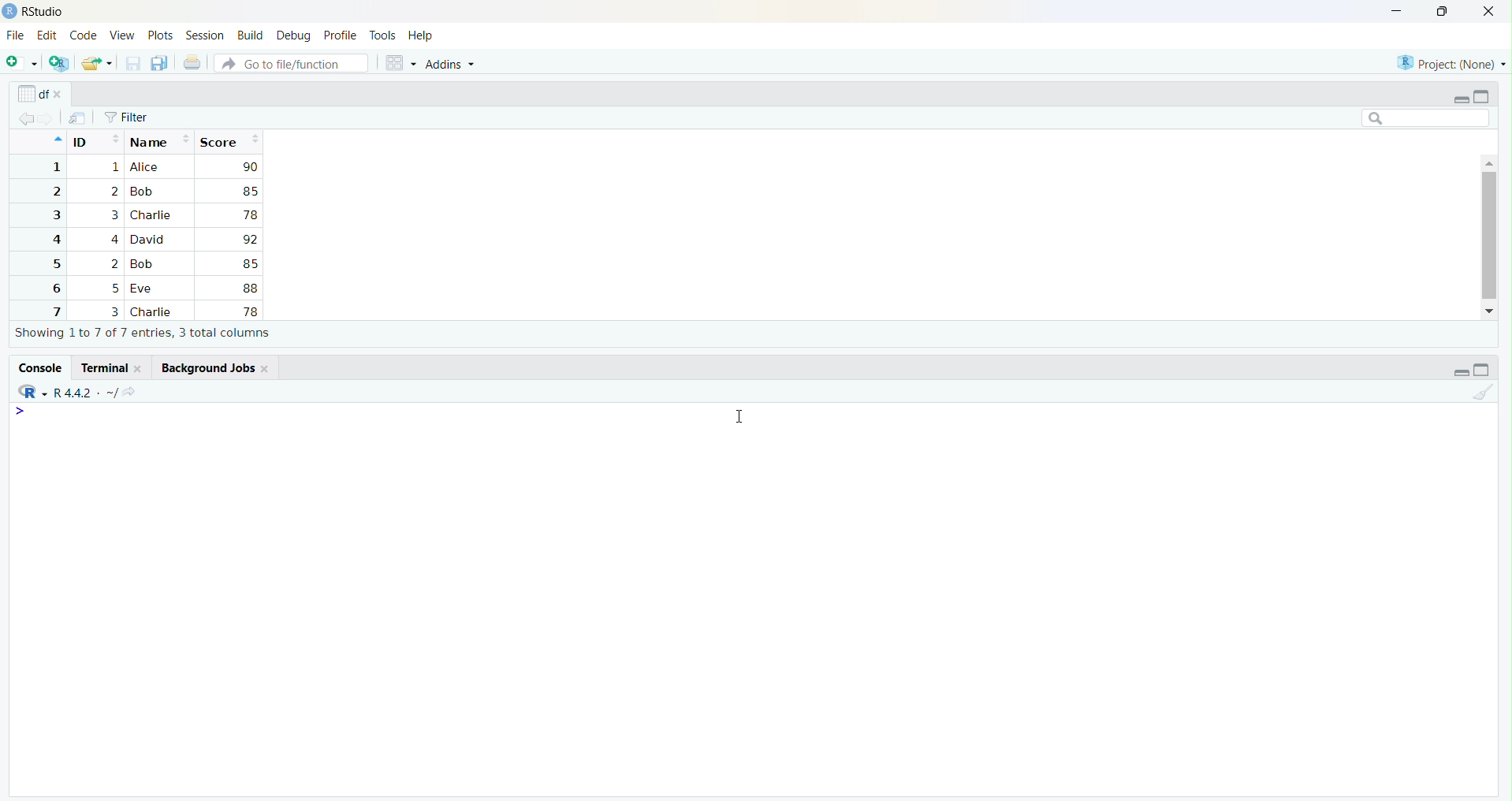  What do you see at coordinates (251, 288) in the screenshot?
I see `88` at bounding box center [251, 288].